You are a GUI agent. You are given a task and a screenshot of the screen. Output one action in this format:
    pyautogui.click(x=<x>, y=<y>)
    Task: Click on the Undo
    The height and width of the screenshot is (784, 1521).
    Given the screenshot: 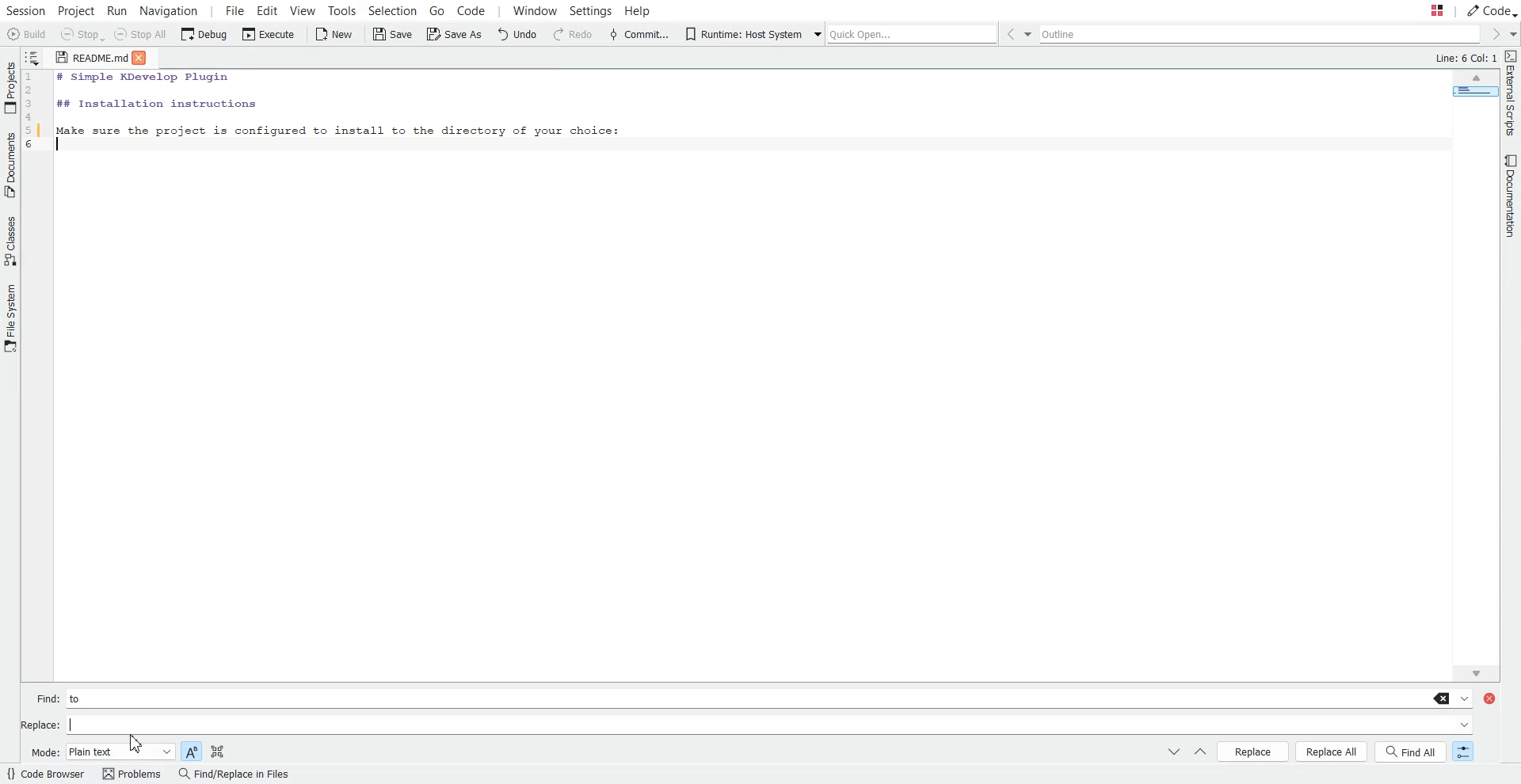 What is the action you would take?
    pyautogui.click(x=520, y=35)
    